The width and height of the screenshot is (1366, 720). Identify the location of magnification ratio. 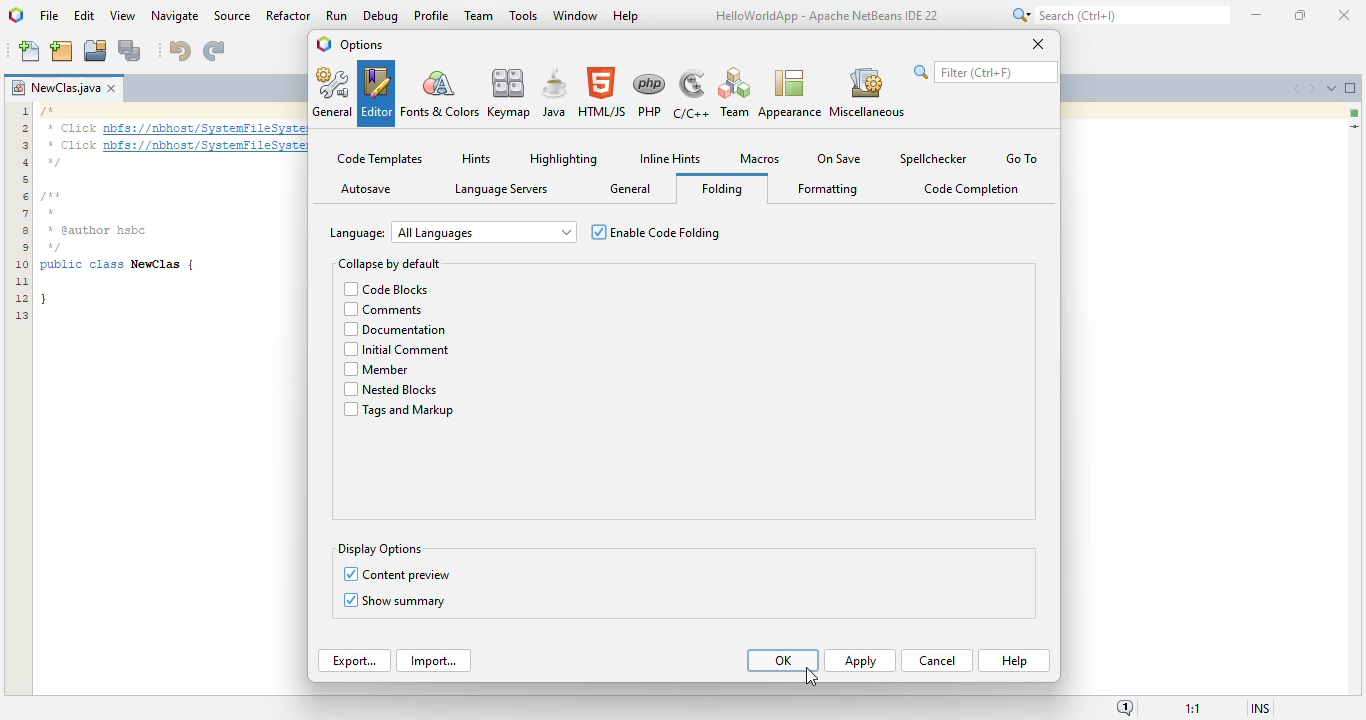
(1193, 709).